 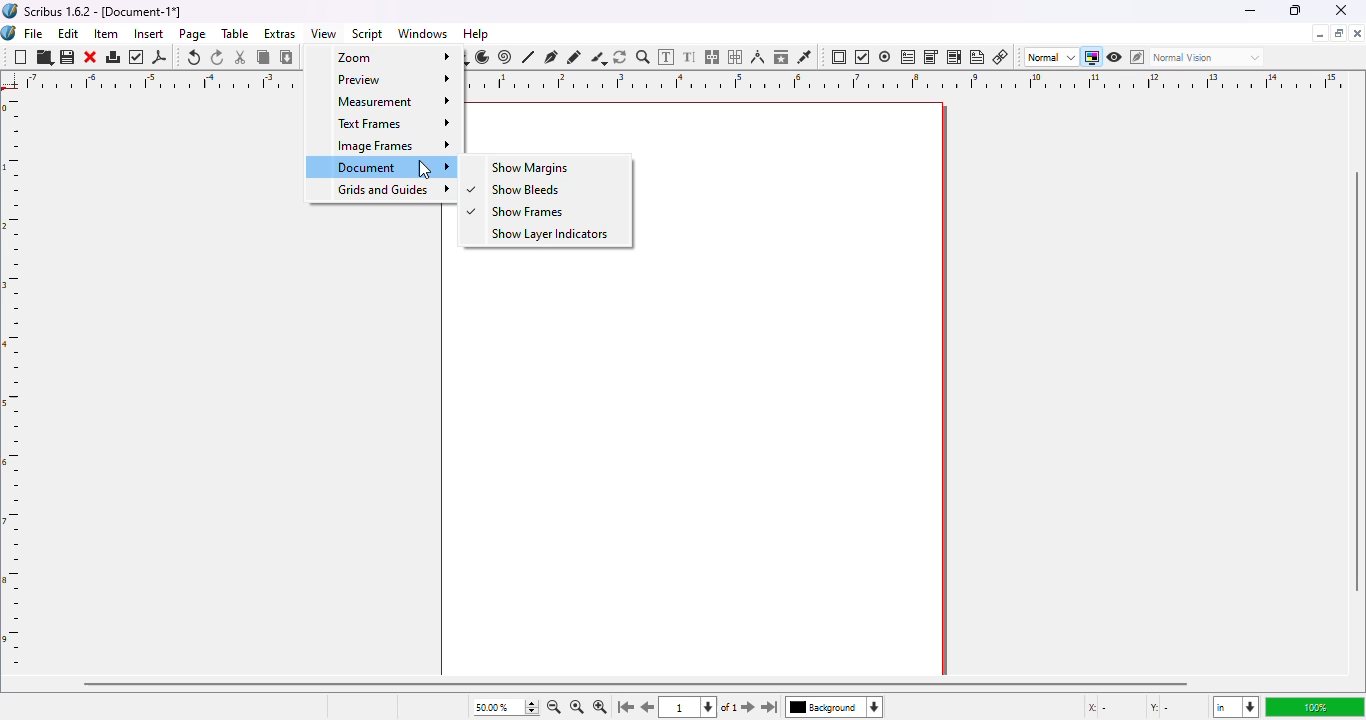 What do you see at coordinates (427, 169) in the screenshot?
I see `cursor` at bounding box center [427, 169].